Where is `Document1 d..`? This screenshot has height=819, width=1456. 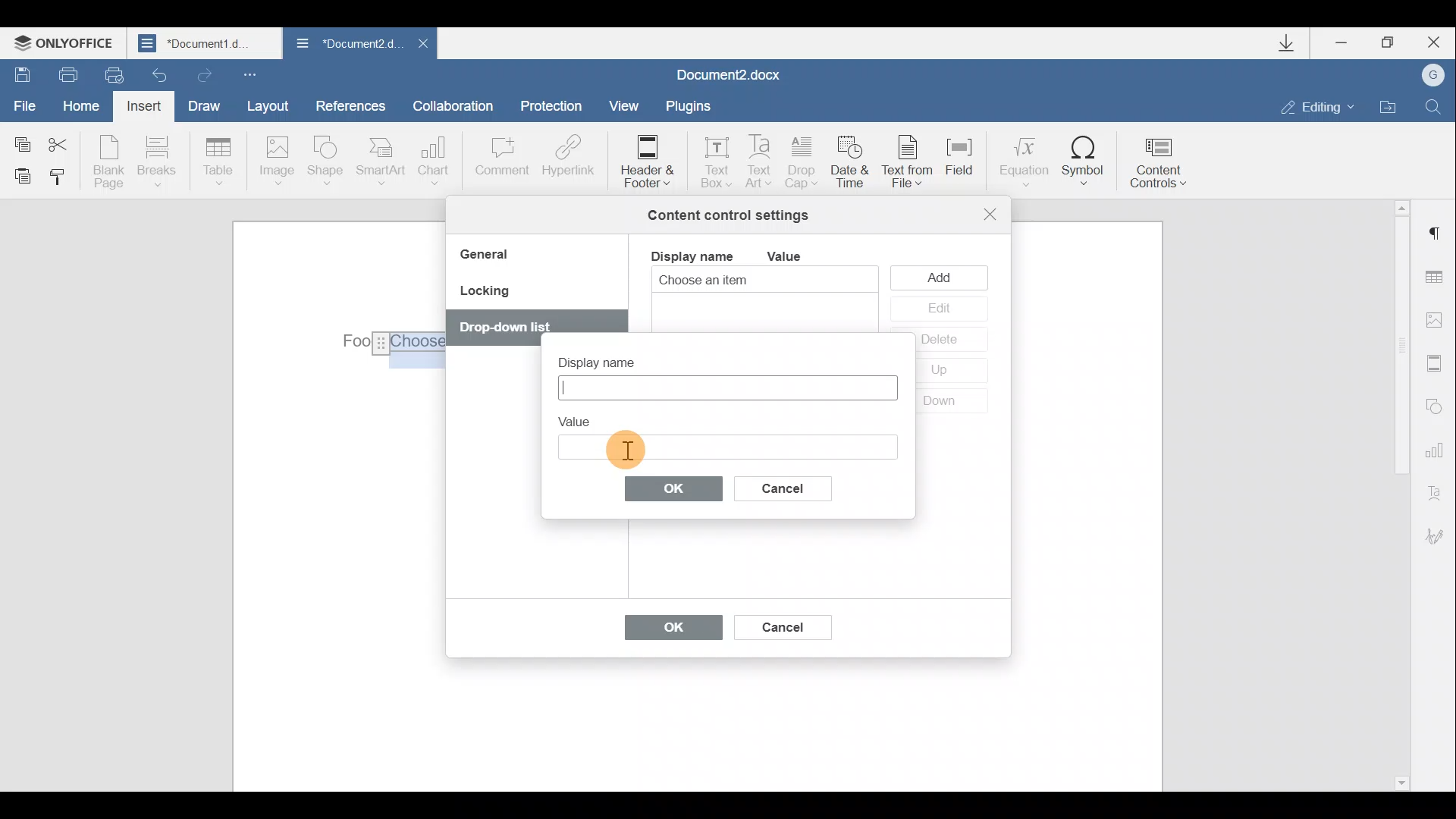
Document1 d.. is located at coordinates (206, 42).